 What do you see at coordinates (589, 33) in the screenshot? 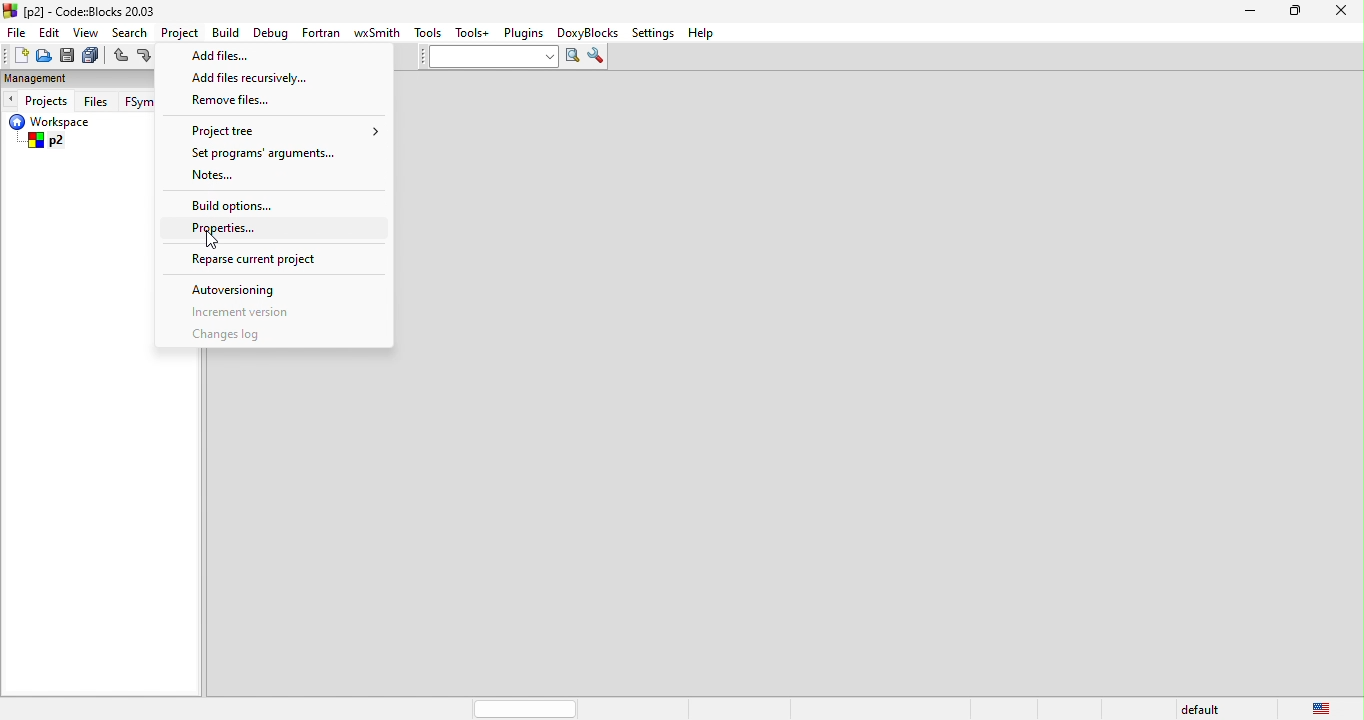
I see `doxyblocks` at bounding box center [589, 33].